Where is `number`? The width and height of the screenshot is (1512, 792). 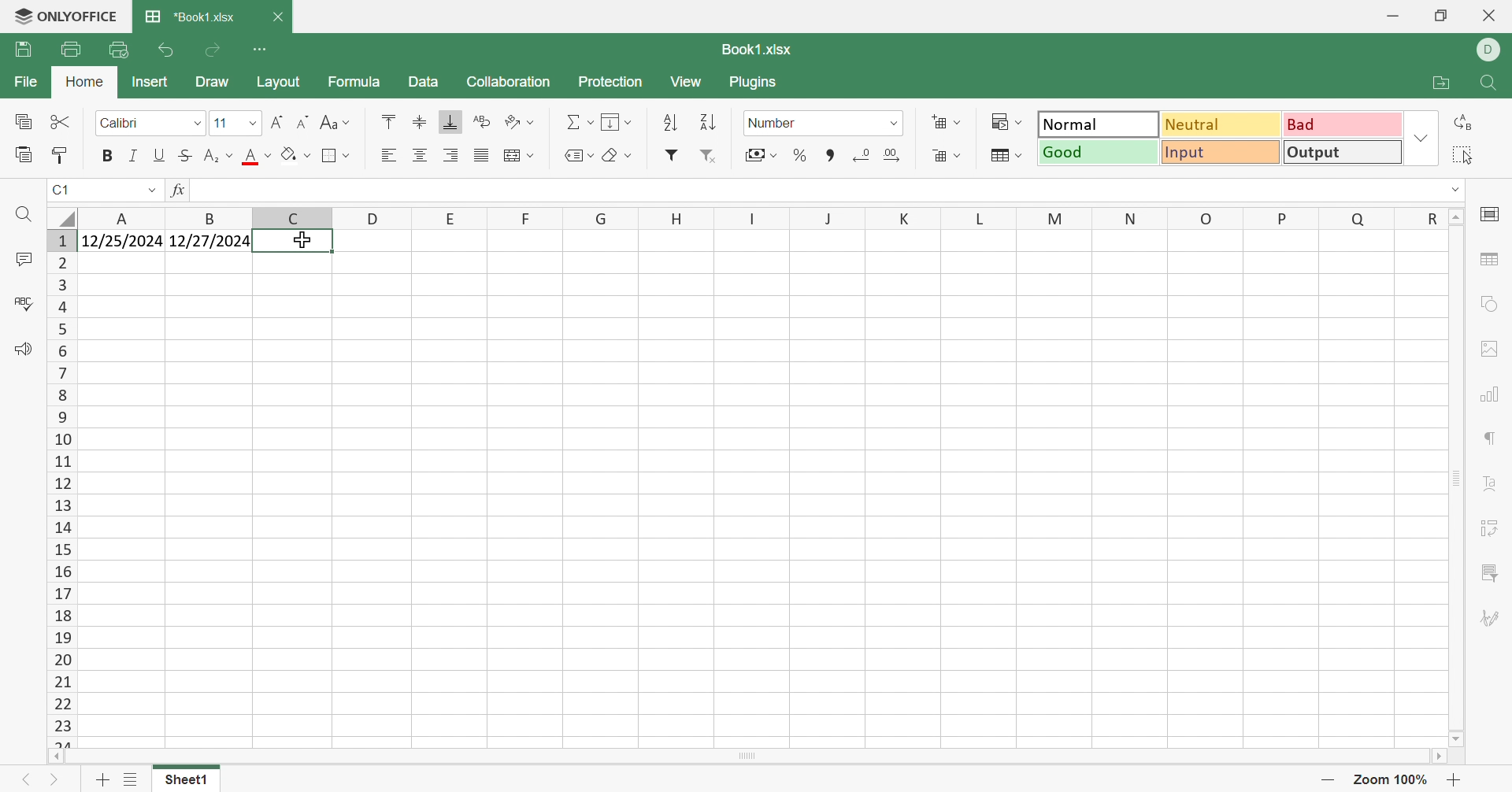 number is located at coordinates (777, 124).